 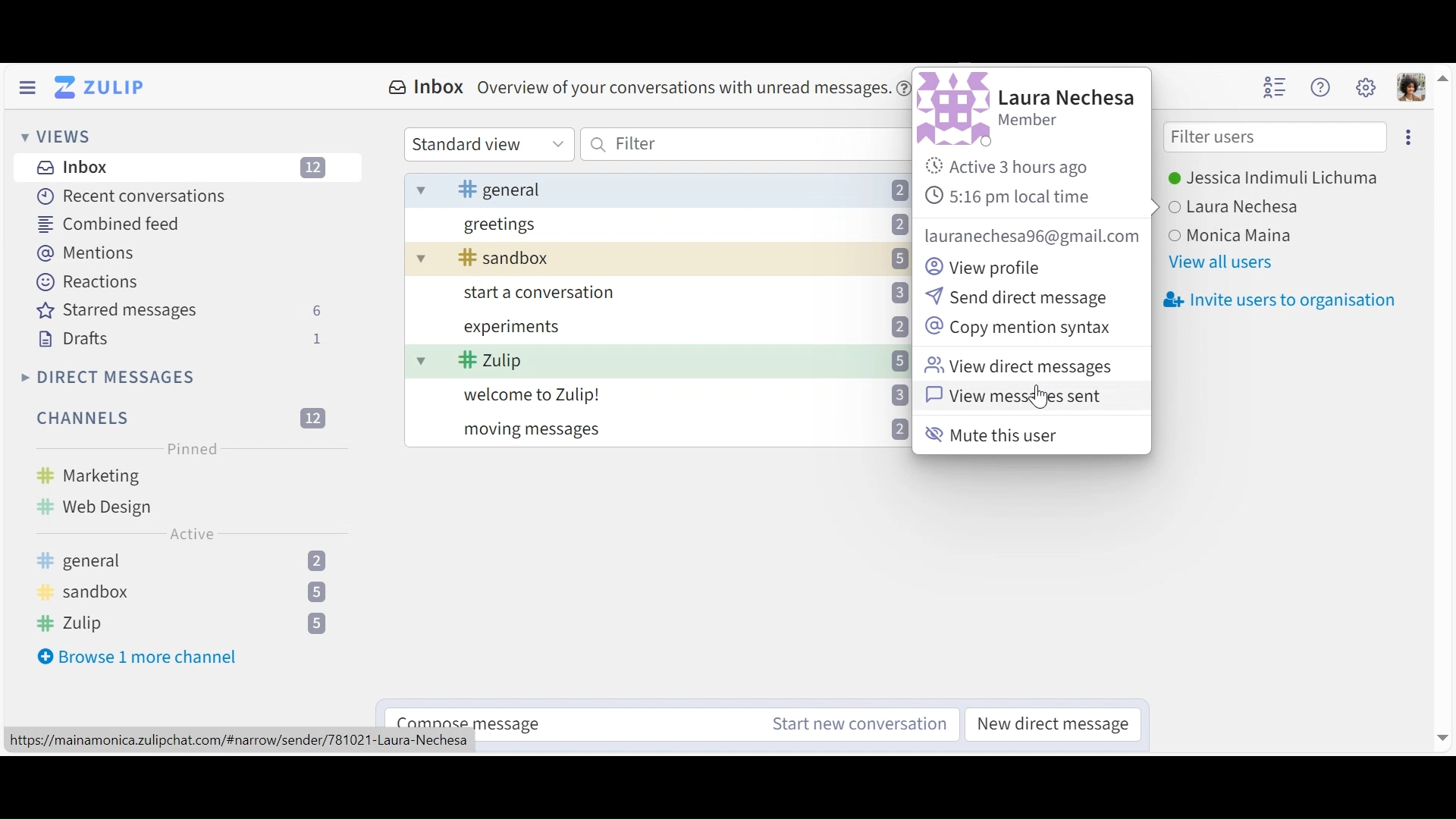 What do you see at coordinates (649, 90) in the screenshot?
I see `Inbox` at bounding box center [649, 90].